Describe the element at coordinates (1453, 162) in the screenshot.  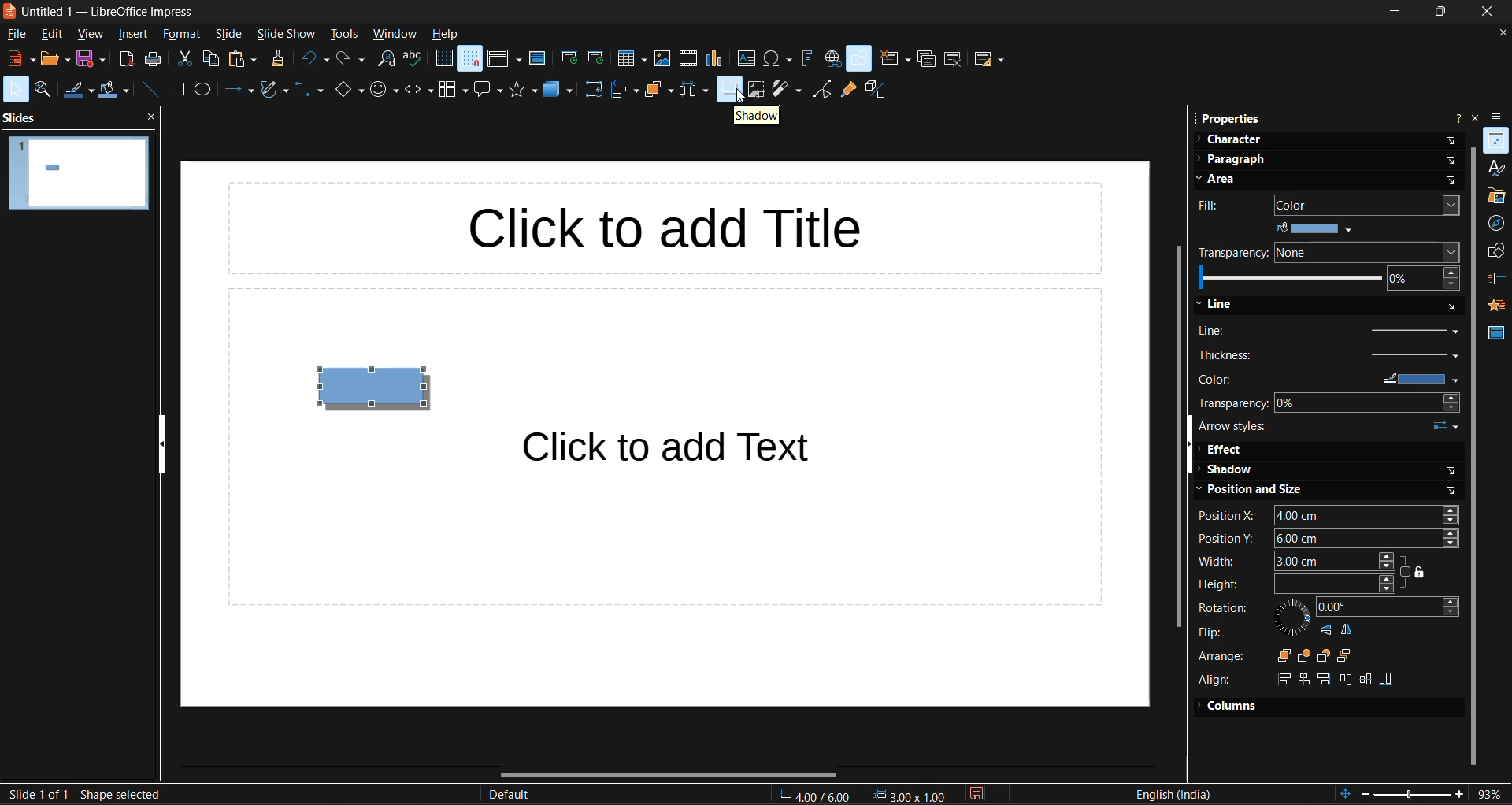
I see `more options` at that location.